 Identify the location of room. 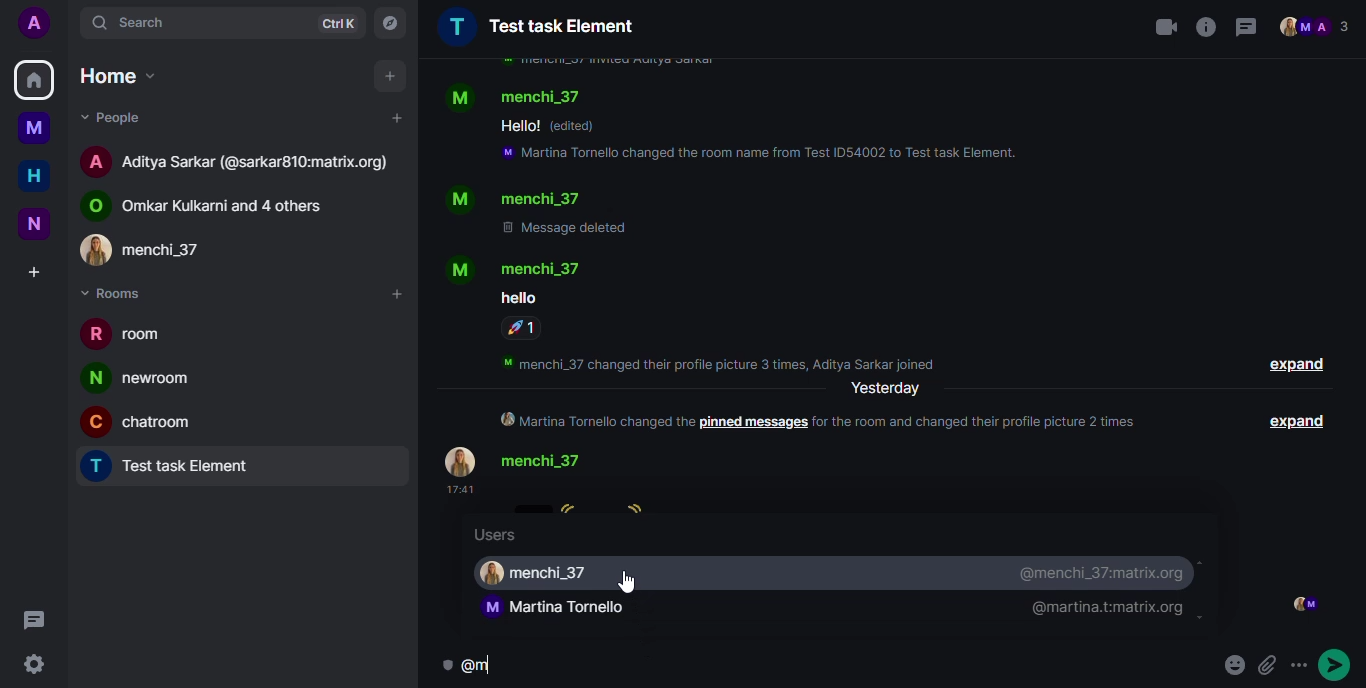
(130, 337).